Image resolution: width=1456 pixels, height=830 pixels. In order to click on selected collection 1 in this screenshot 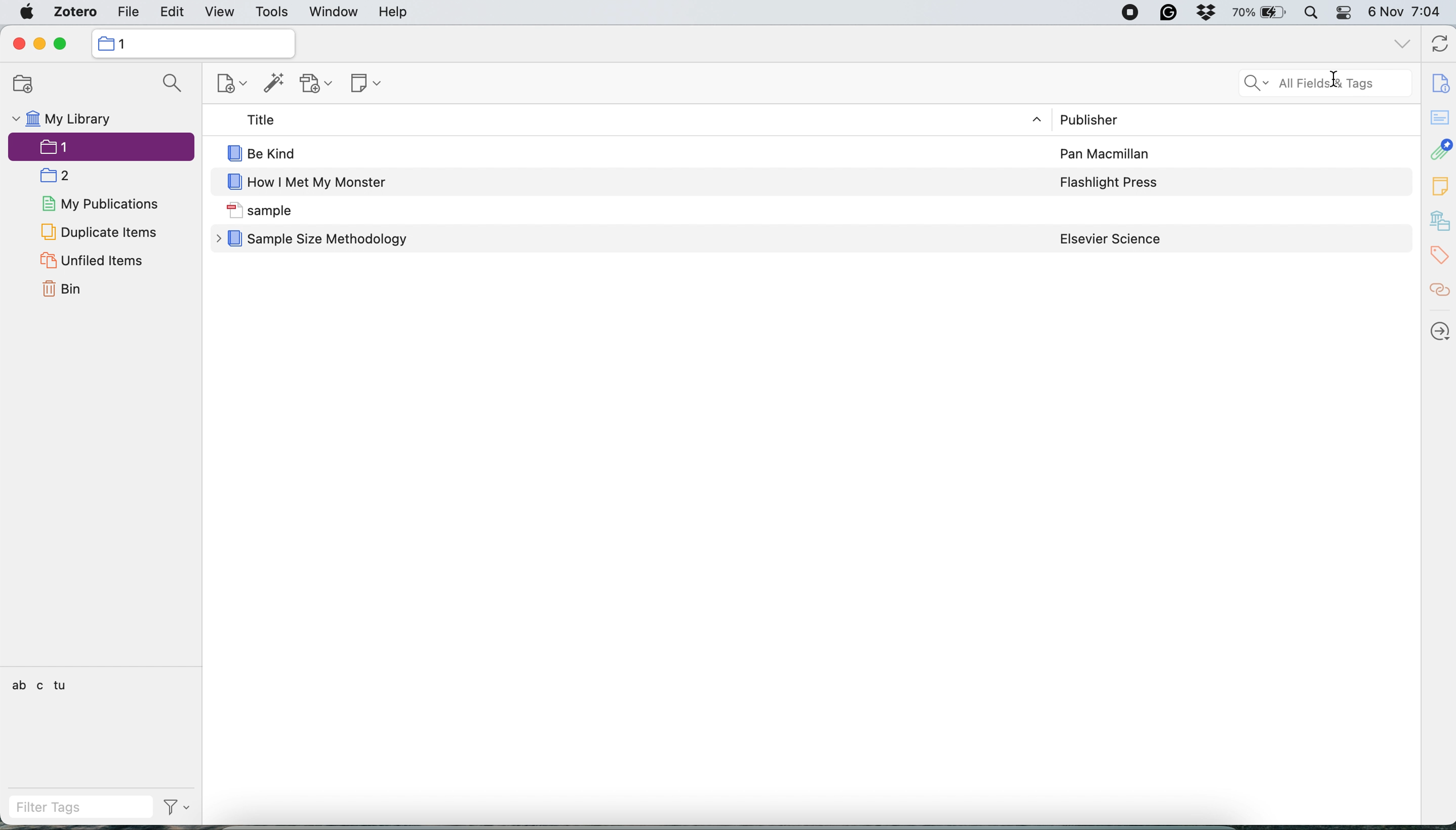, I will do `click(101, 147)`.